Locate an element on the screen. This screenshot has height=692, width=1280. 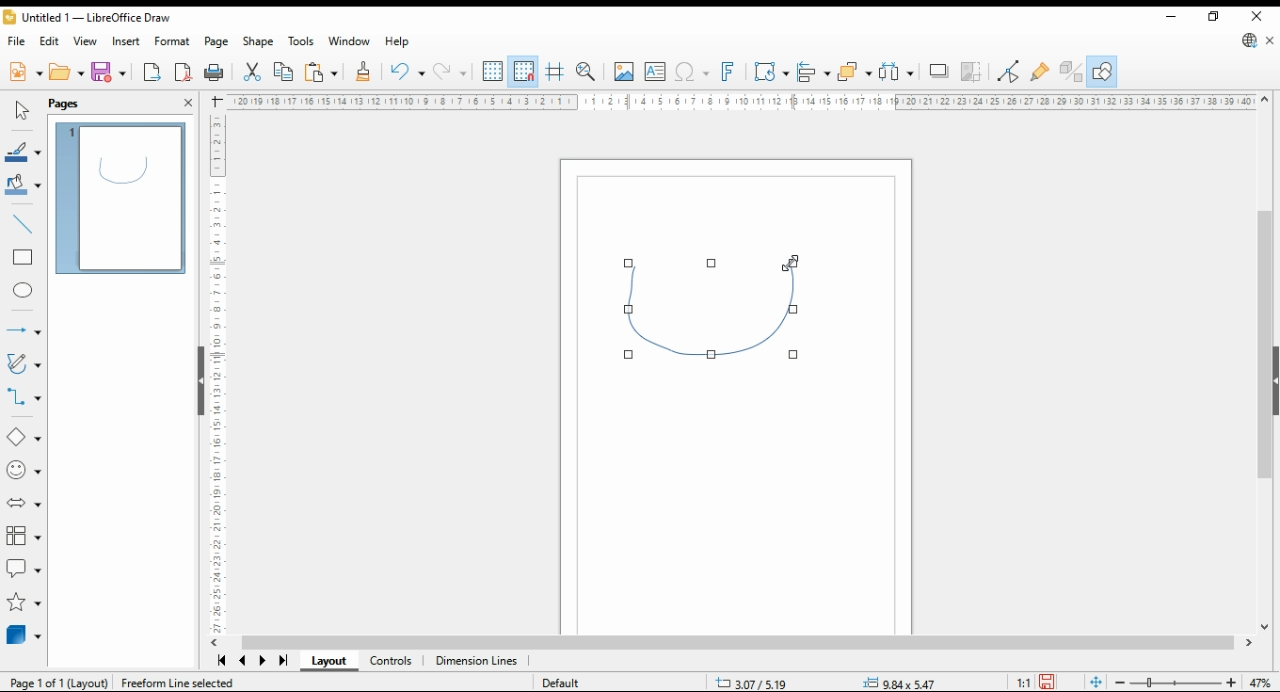
save is located at coordinates (110, 72).